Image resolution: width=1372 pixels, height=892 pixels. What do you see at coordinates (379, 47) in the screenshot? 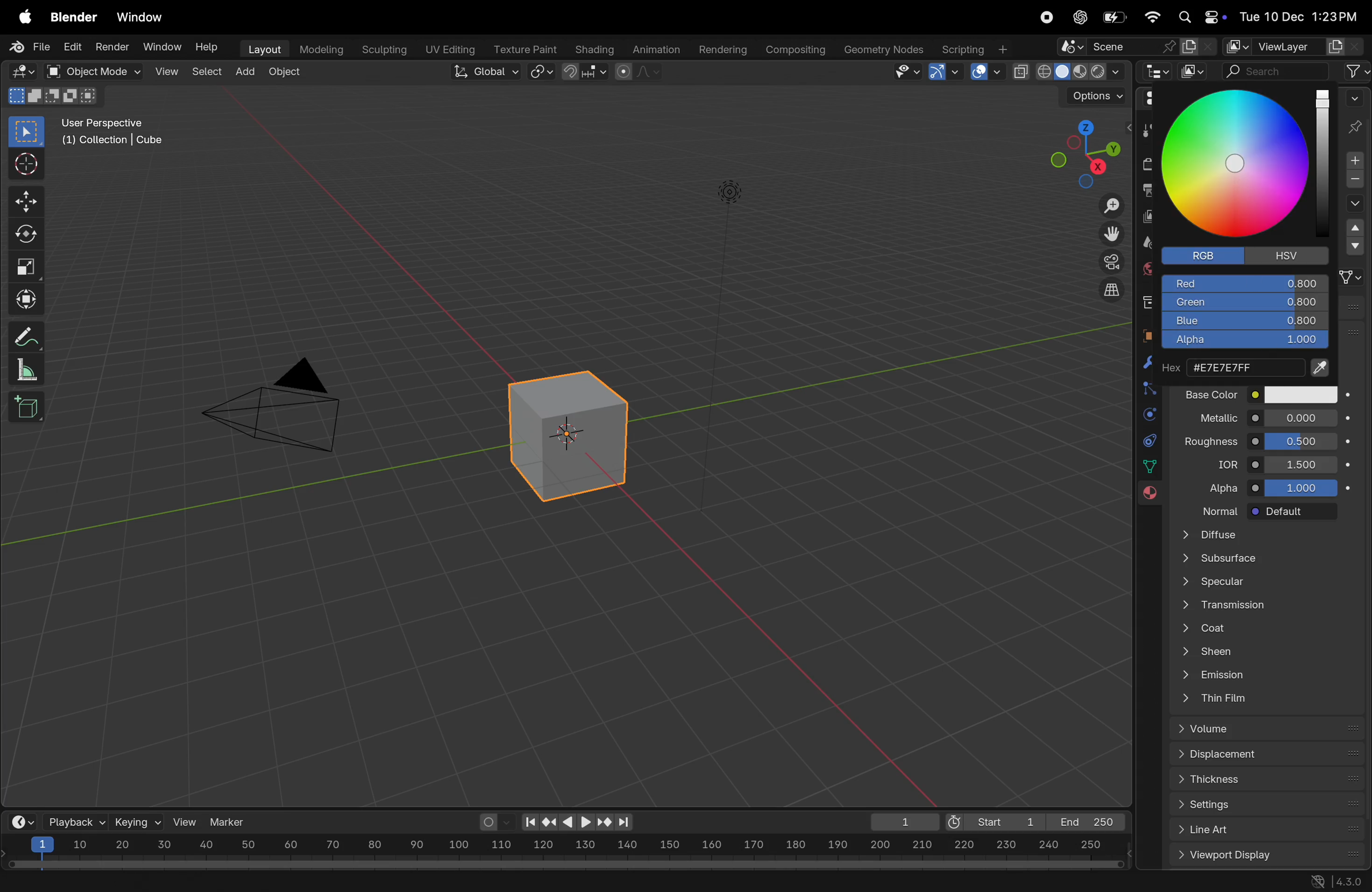
I see `Sculpting` at bounding box center [379, 47].